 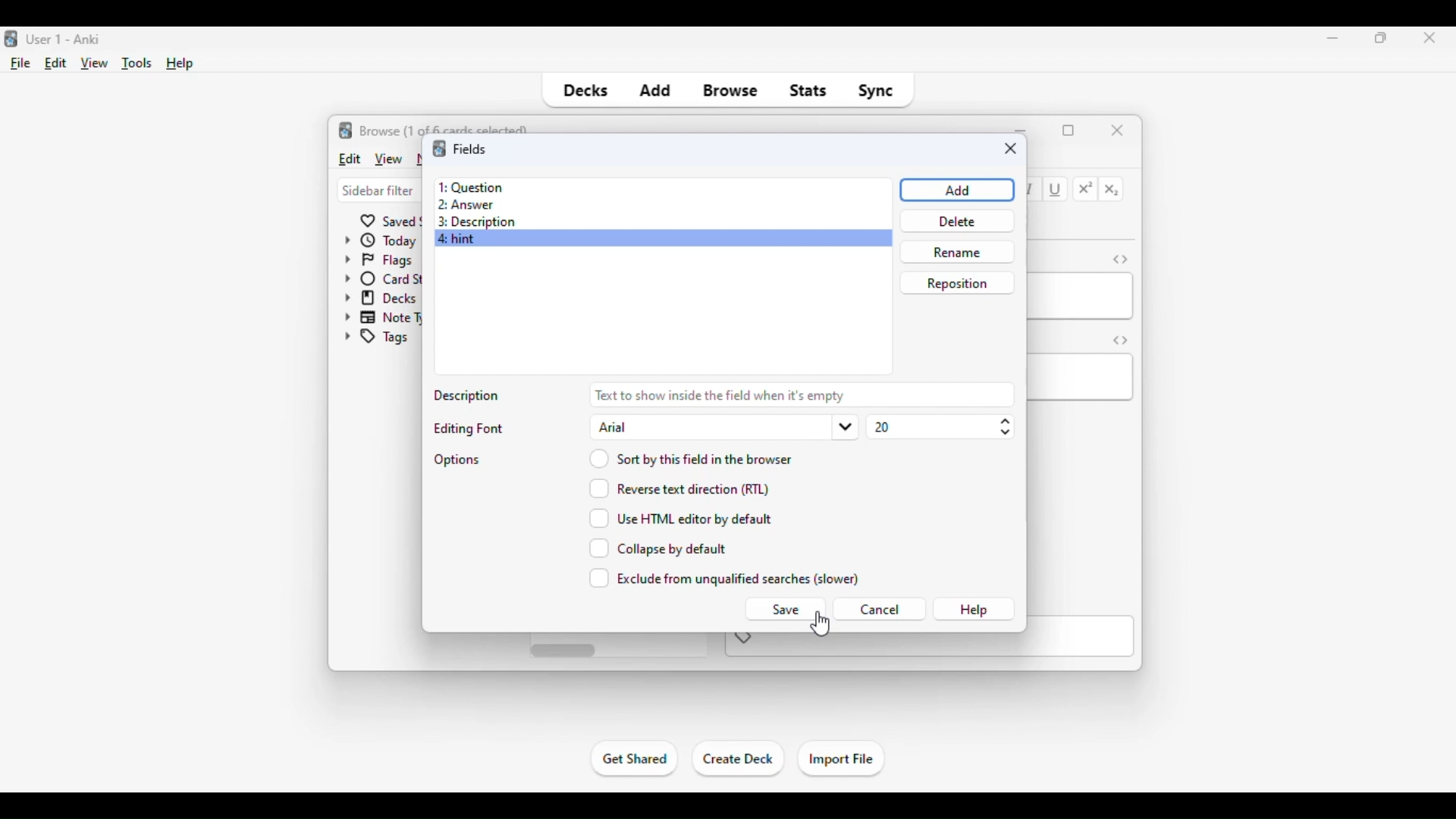 I want to click on superscript, so click(x=1086, y=189).